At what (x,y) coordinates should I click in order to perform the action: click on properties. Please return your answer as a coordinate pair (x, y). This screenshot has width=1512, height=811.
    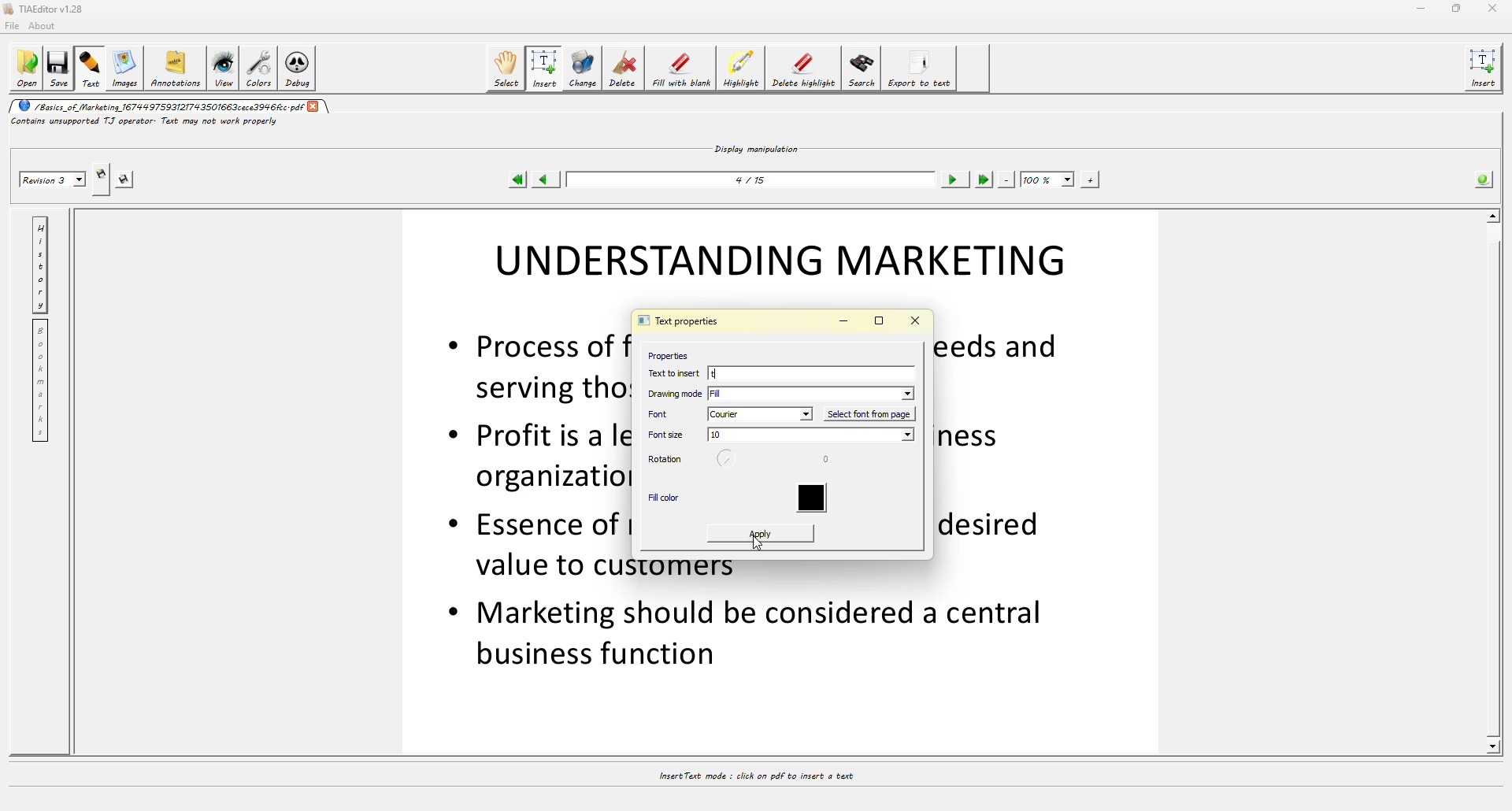
    Looking at the image, I should click on (666, 354).